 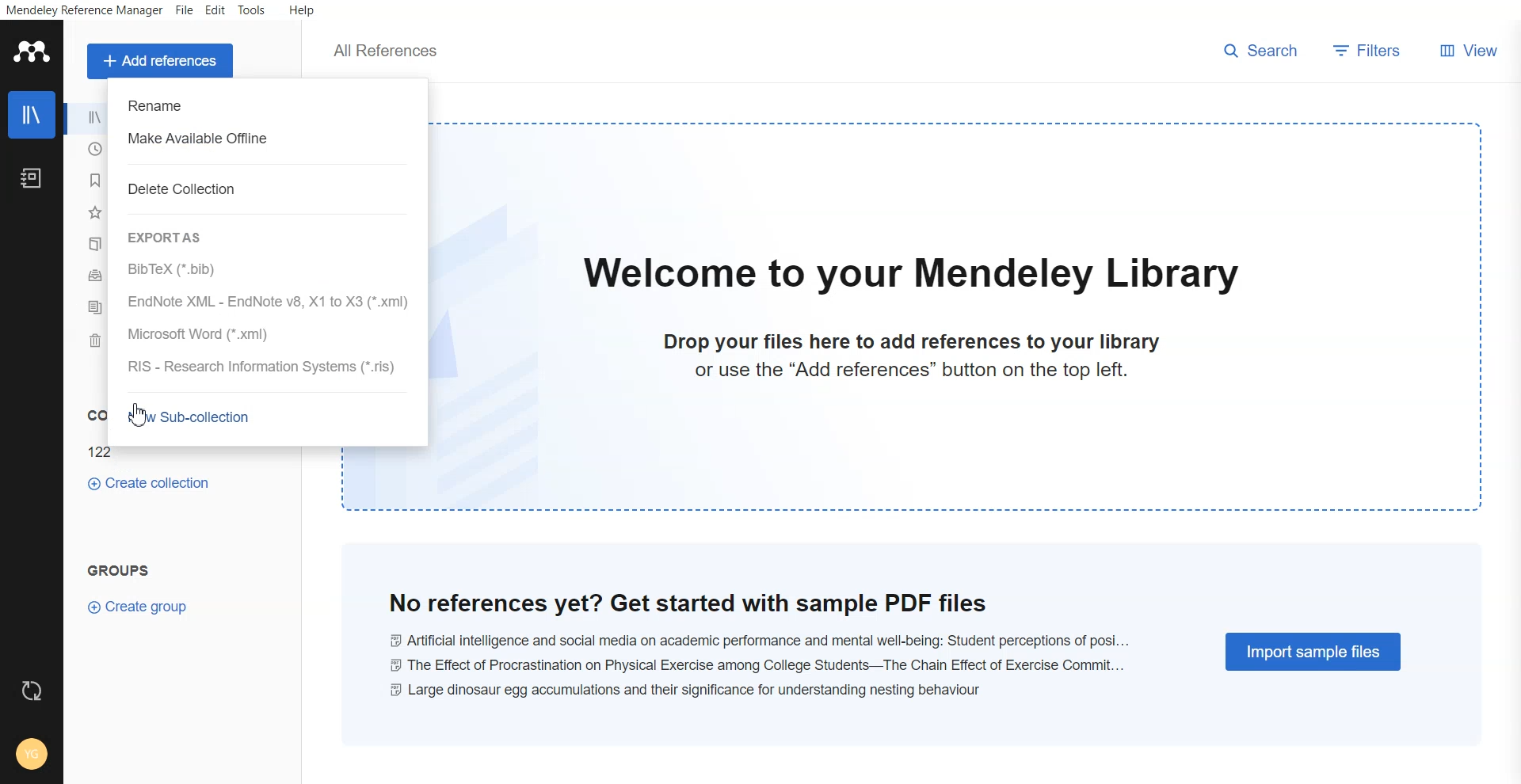 What do you see at coordinates (1367, 51) in the screenshot?
I see `Filters` at bounding box center [1367, 51].